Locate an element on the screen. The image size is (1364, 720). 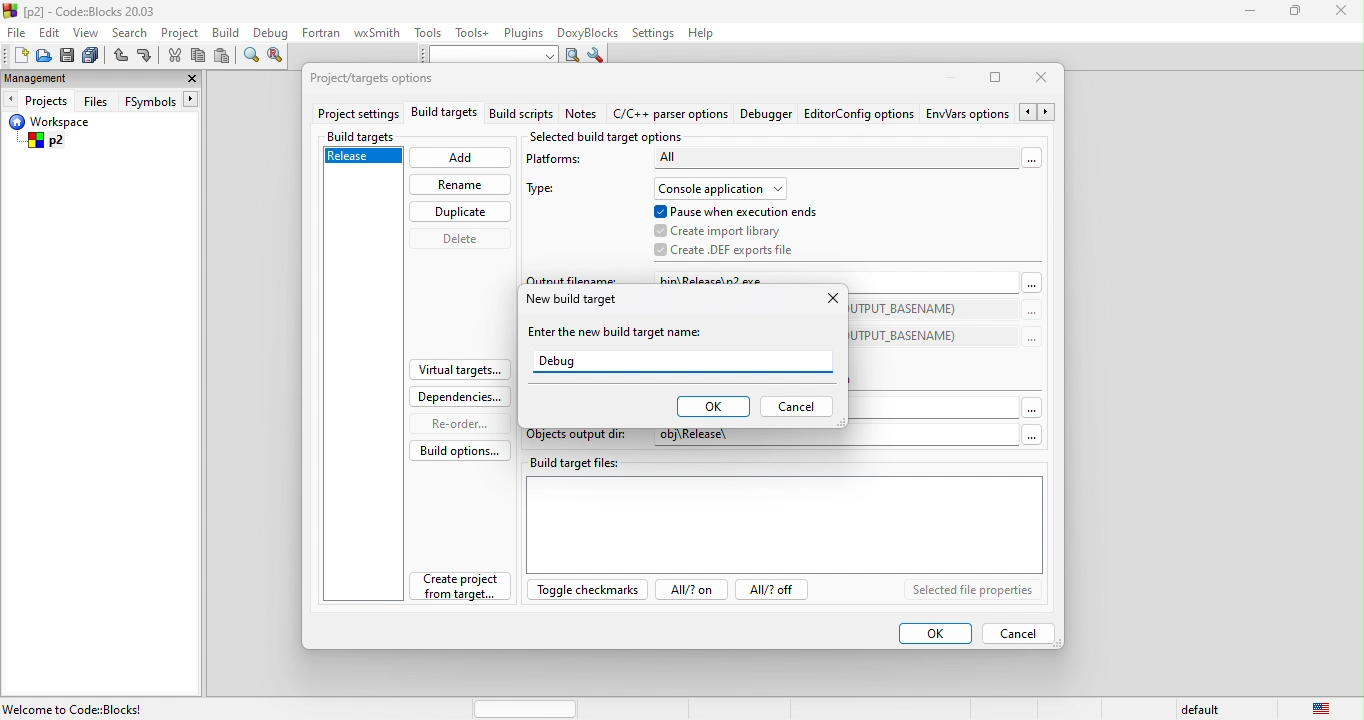
file is located at coordinates (18, 32).